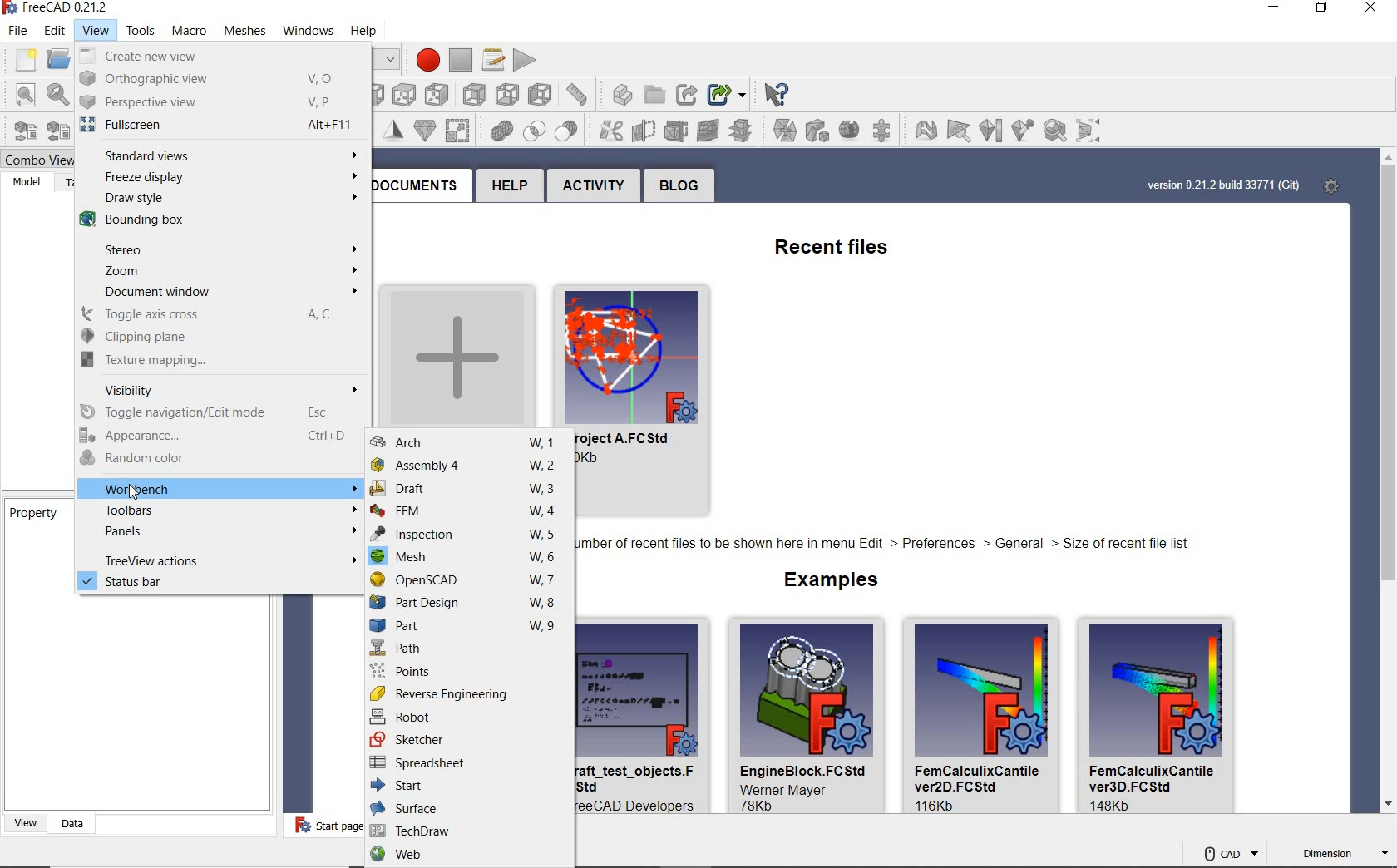  Describe the element at coordinates (887, 545) in the screenshot. I see `tip` at that location.